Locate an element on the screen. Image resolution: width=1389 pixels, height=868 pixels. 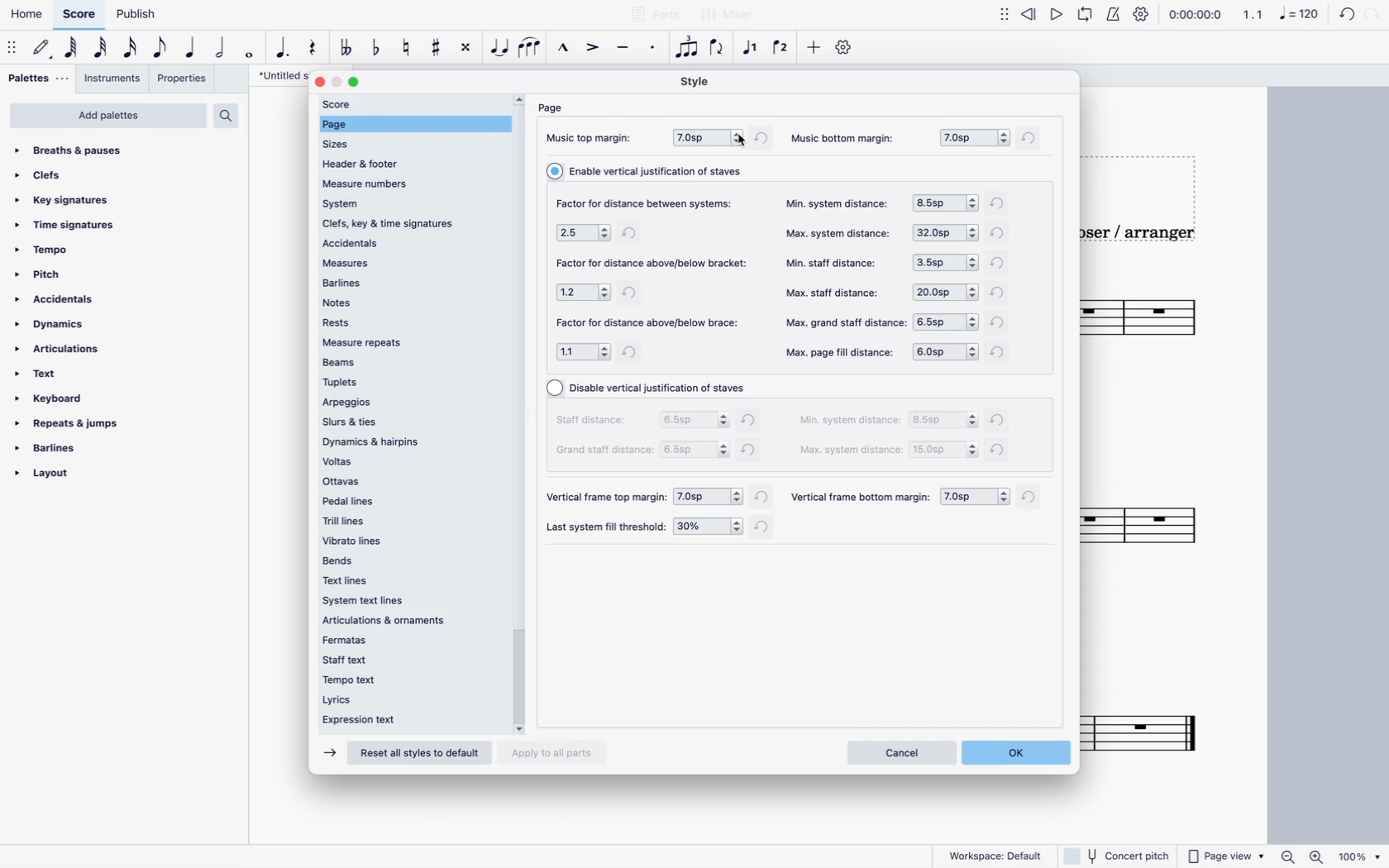
notes is located at coordinates (411, 301).